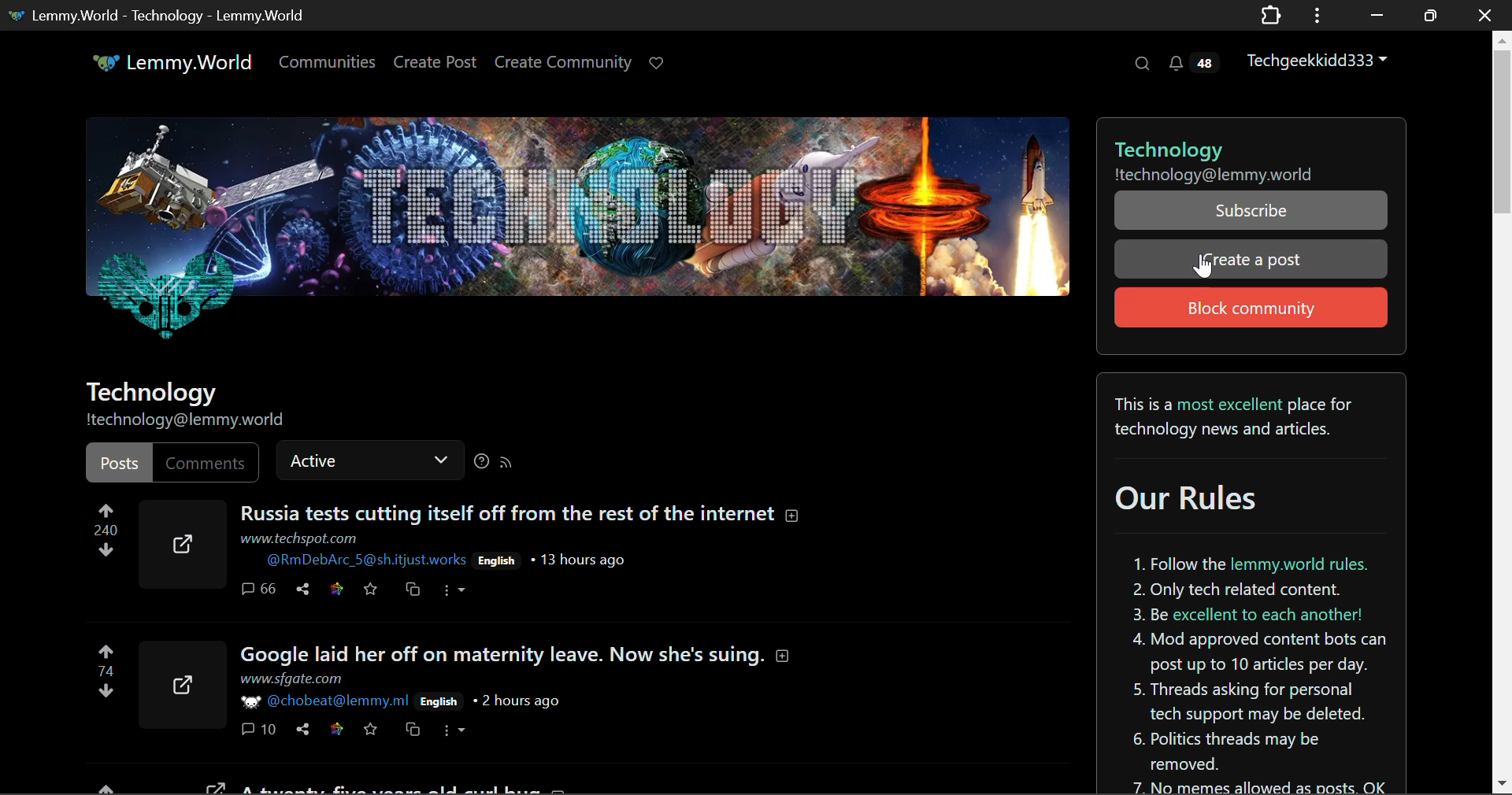  What do you see at coordinates (258, 590) in the screenshot?
I see `Comments` at bounding box center [258, 590].